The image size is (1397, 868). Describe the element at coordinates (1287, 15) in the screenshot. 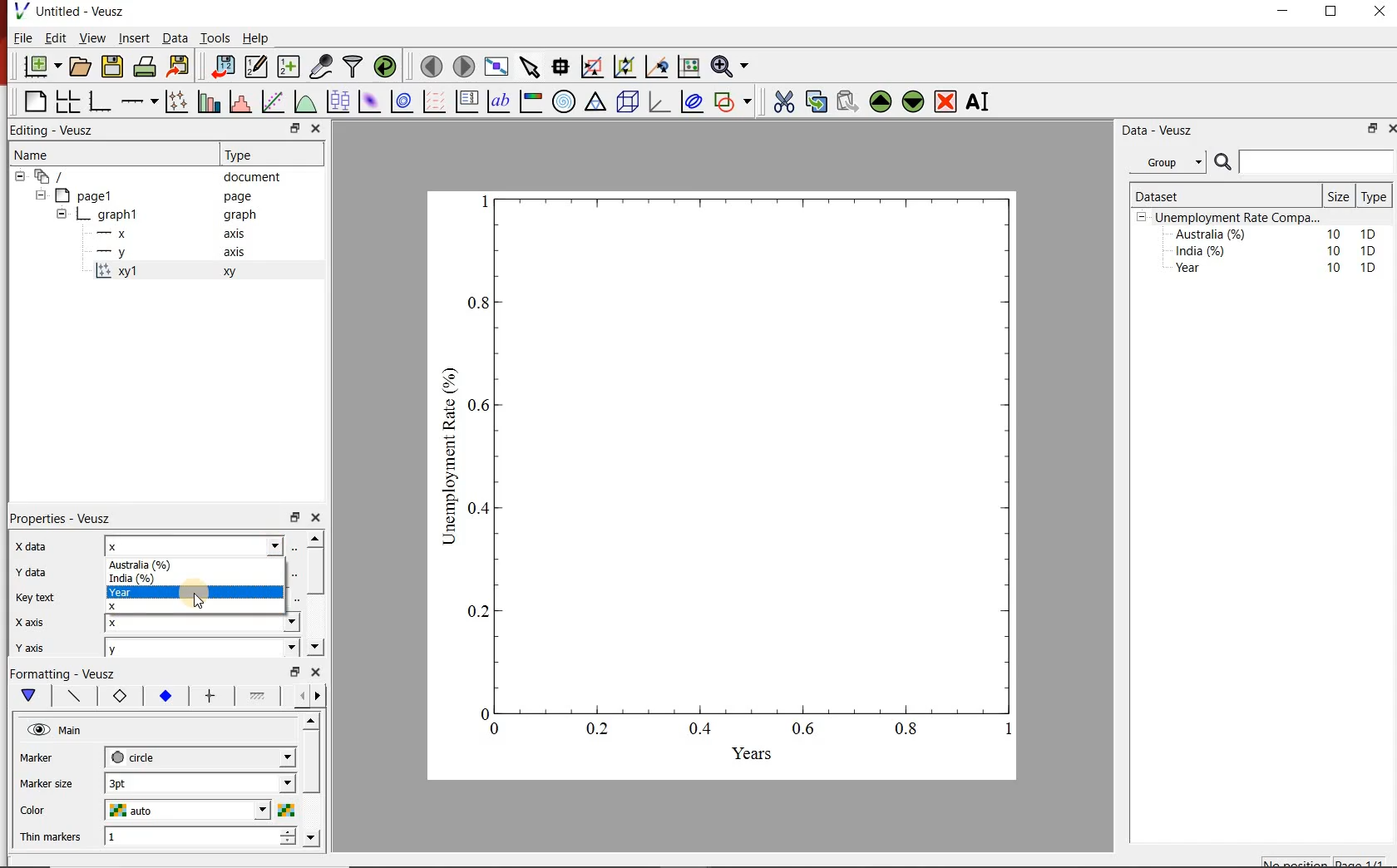

I see `minimise` at that location.